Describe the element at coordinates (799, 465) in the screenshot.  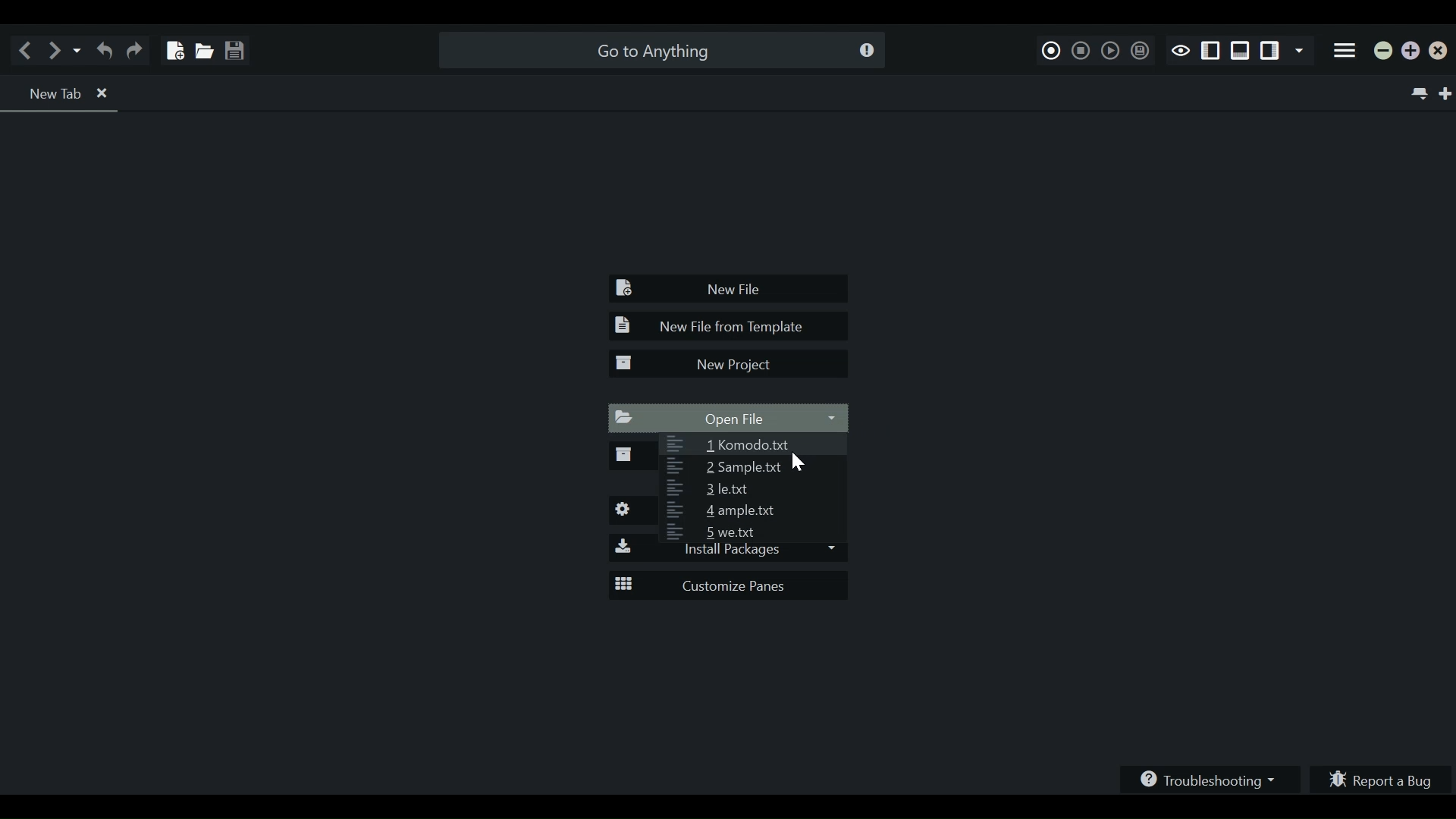
I see `Cursor` at that location.